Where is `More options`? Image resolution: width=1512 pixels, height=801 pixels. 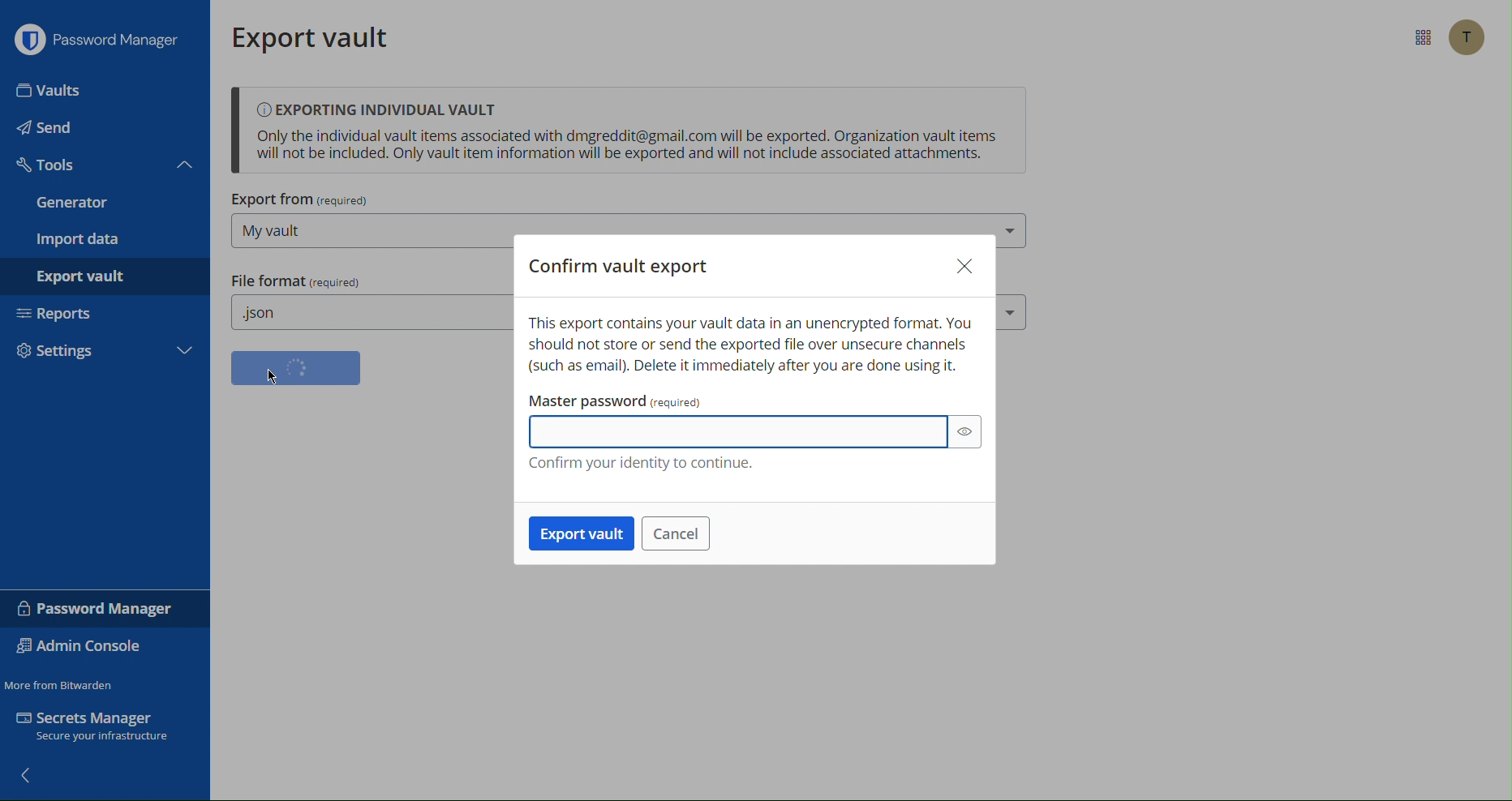 More options is located at coordinates (1420, 38).